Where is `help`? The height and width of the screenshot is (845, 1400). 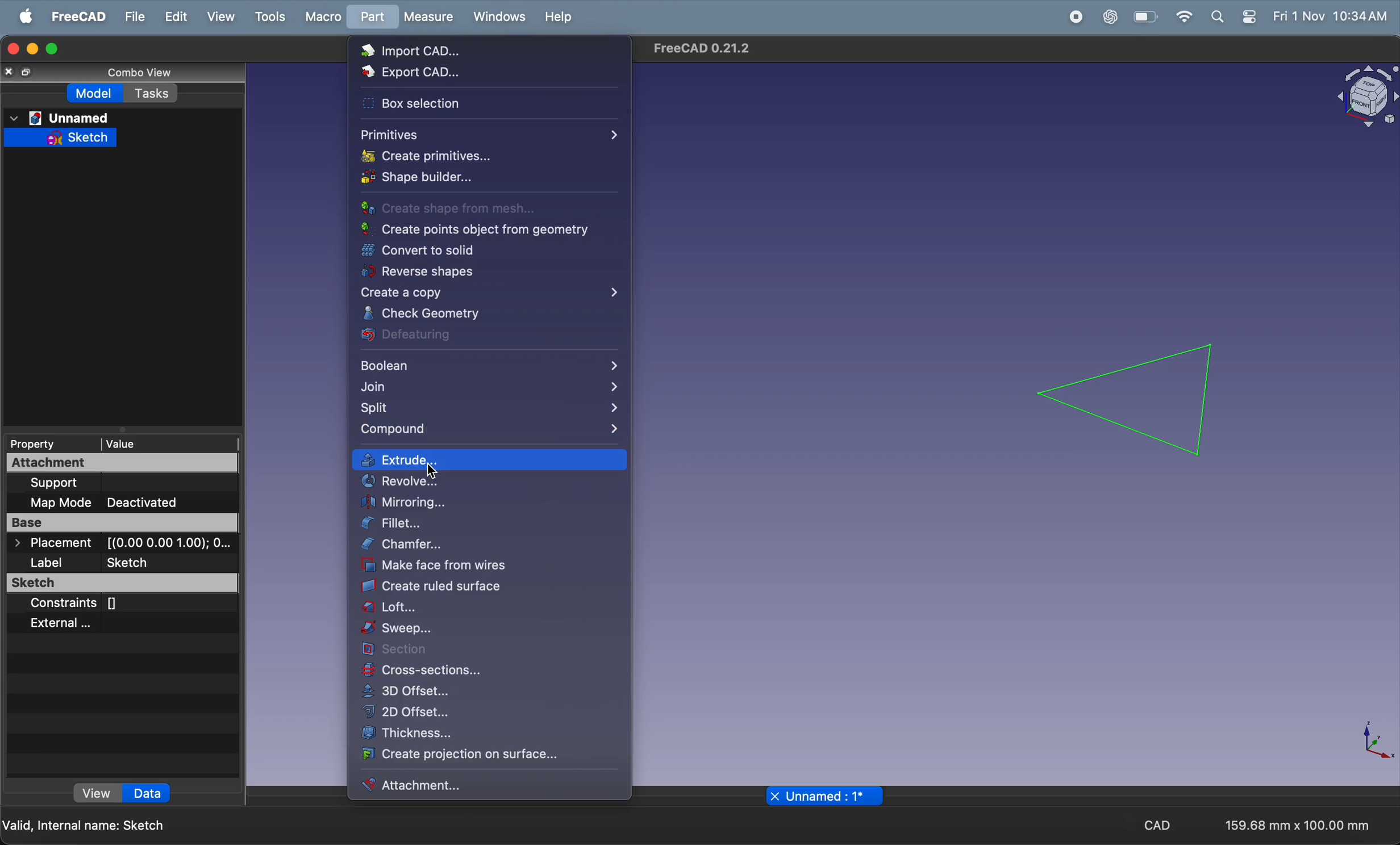
help is located at coordinates (560, 17).